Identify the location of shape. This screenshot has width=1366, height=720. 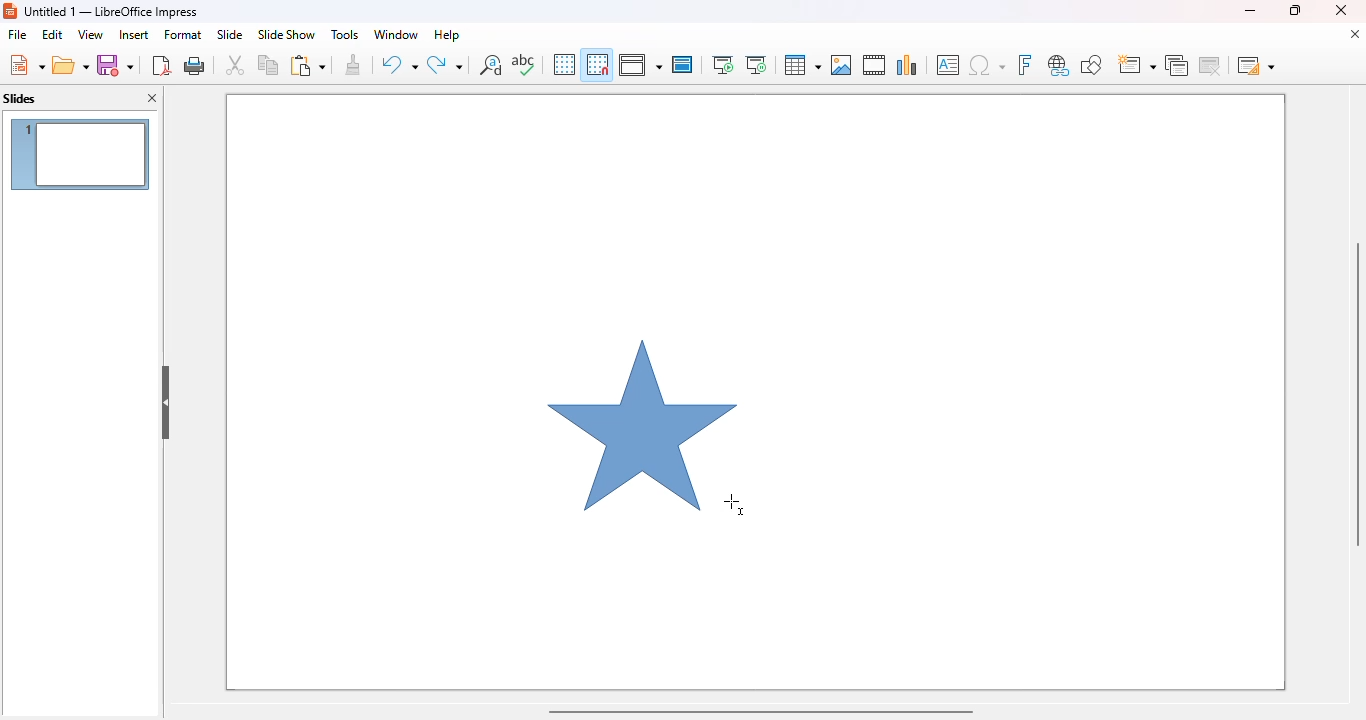
(637, 423).